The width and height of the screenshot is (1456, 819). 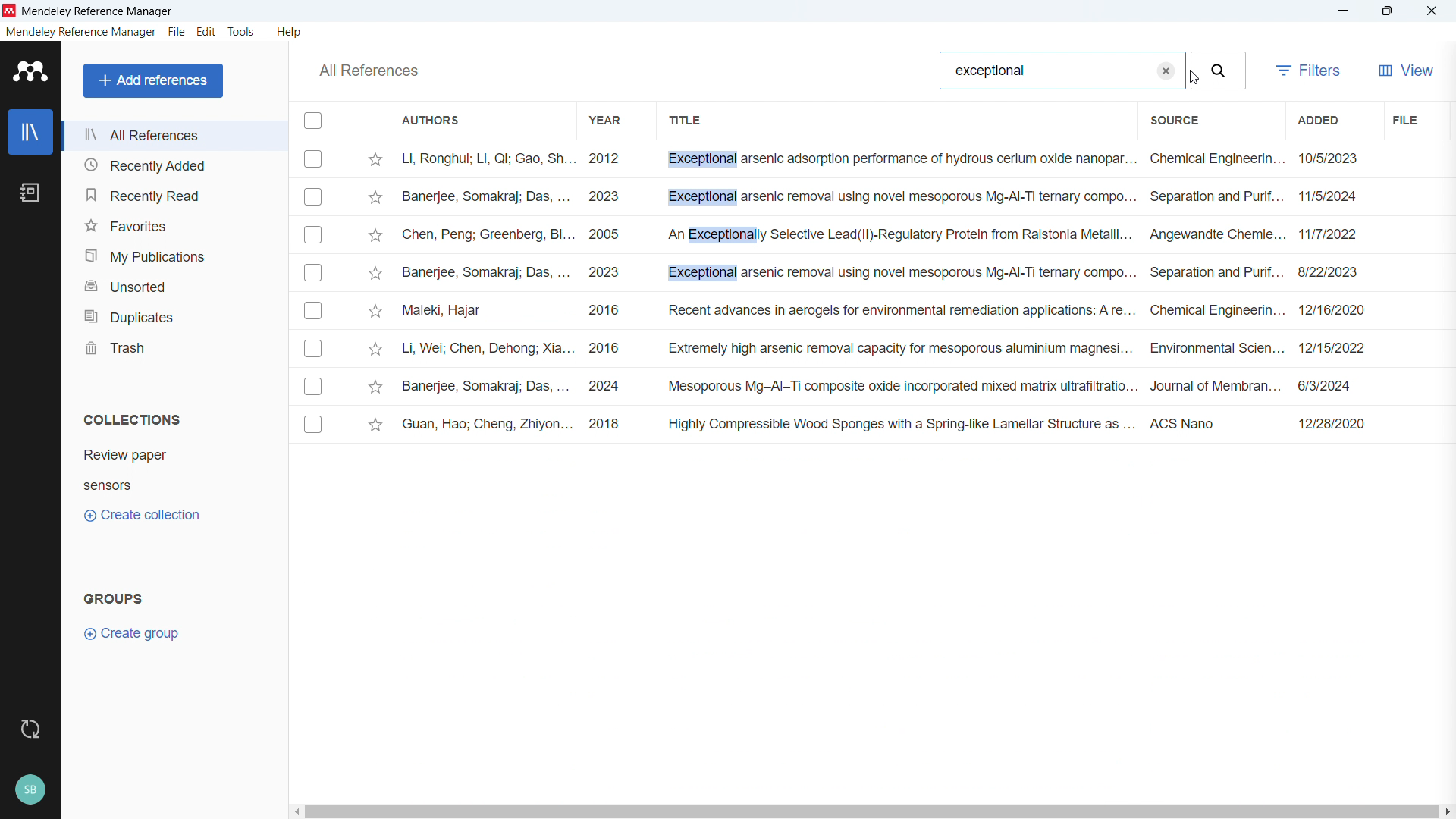 What do you see at coordinates (290, 31) in the screenshot?
I see `help` at bounding box center [290, 31].